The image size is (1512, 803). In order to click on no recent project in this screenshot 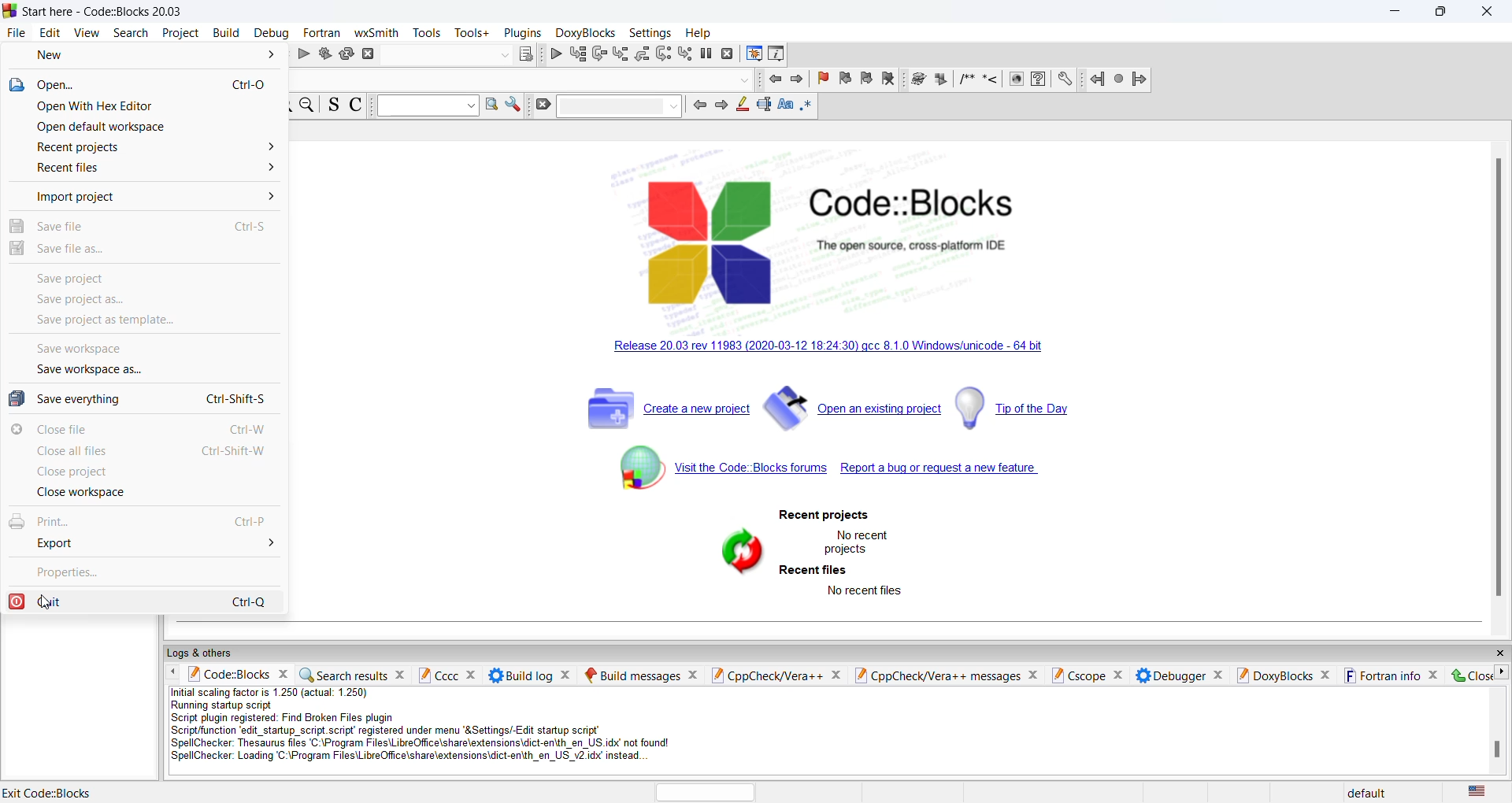, I will do `click(858, 541)`.